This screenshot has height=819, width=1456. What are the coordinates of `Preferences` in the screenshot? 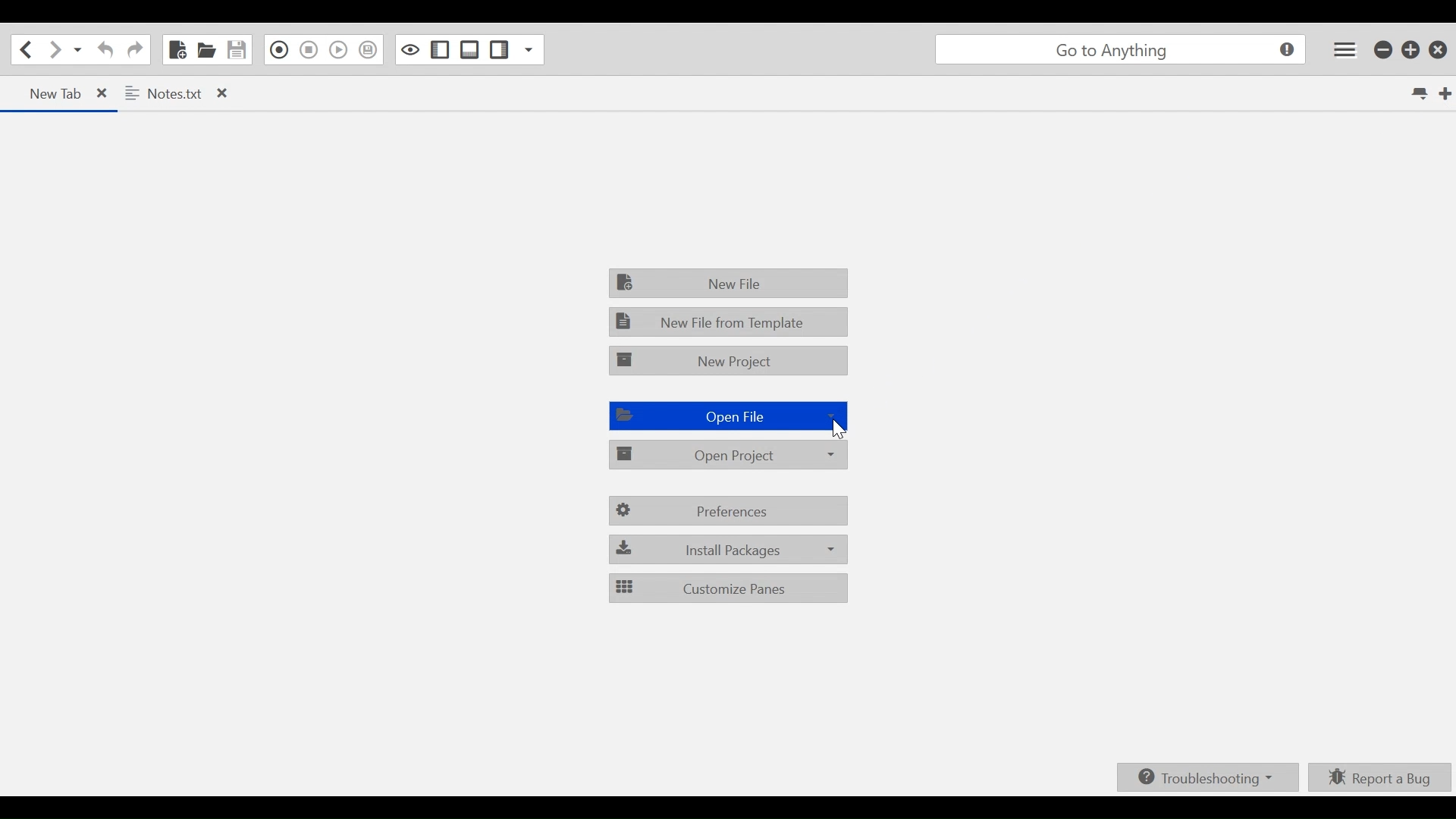 It's located at (727, 511).